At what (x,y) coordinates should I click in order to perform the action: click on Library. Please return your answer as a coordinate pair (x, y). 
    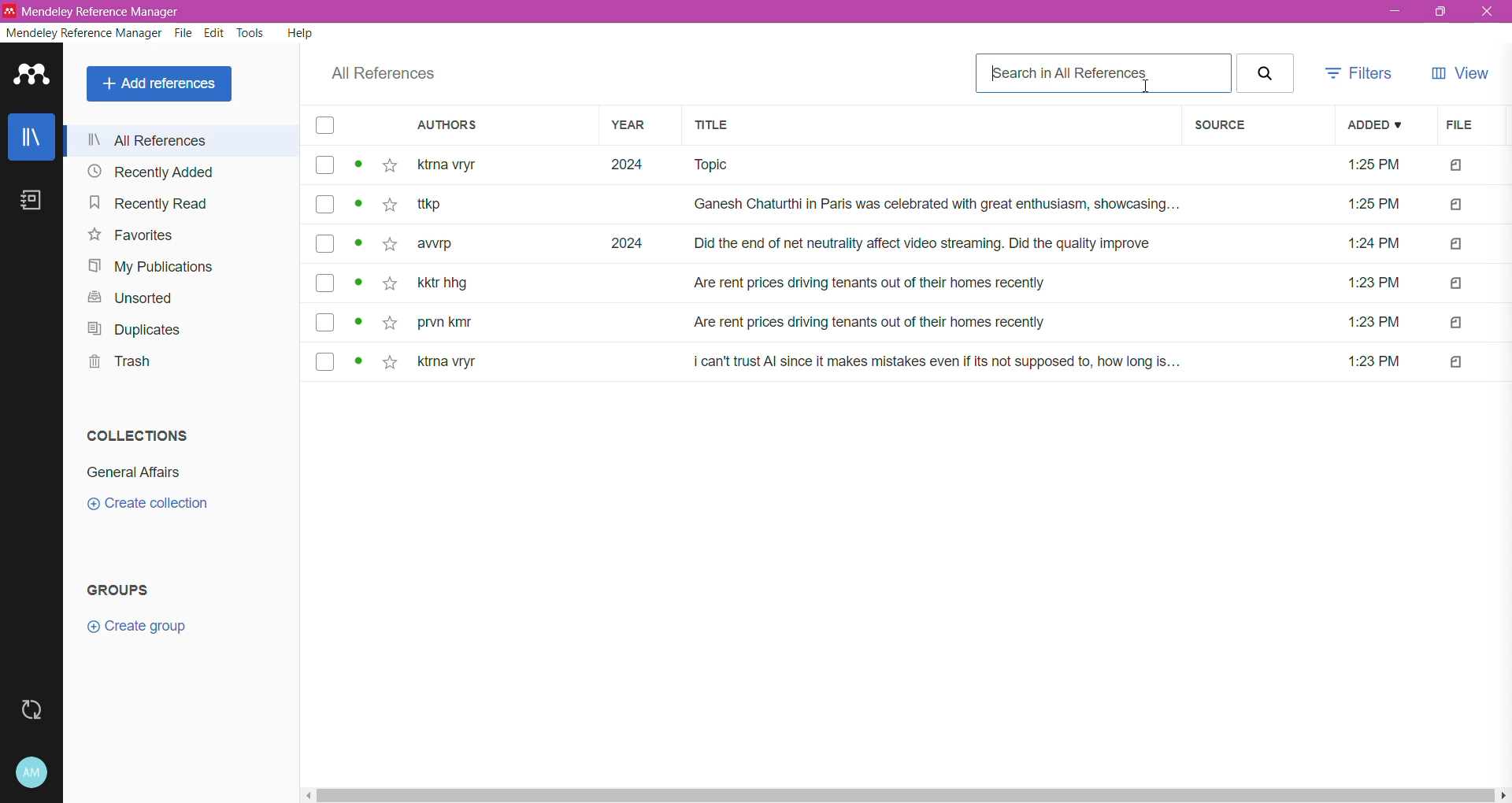
    Looking at the image, I should click on (32, 139).